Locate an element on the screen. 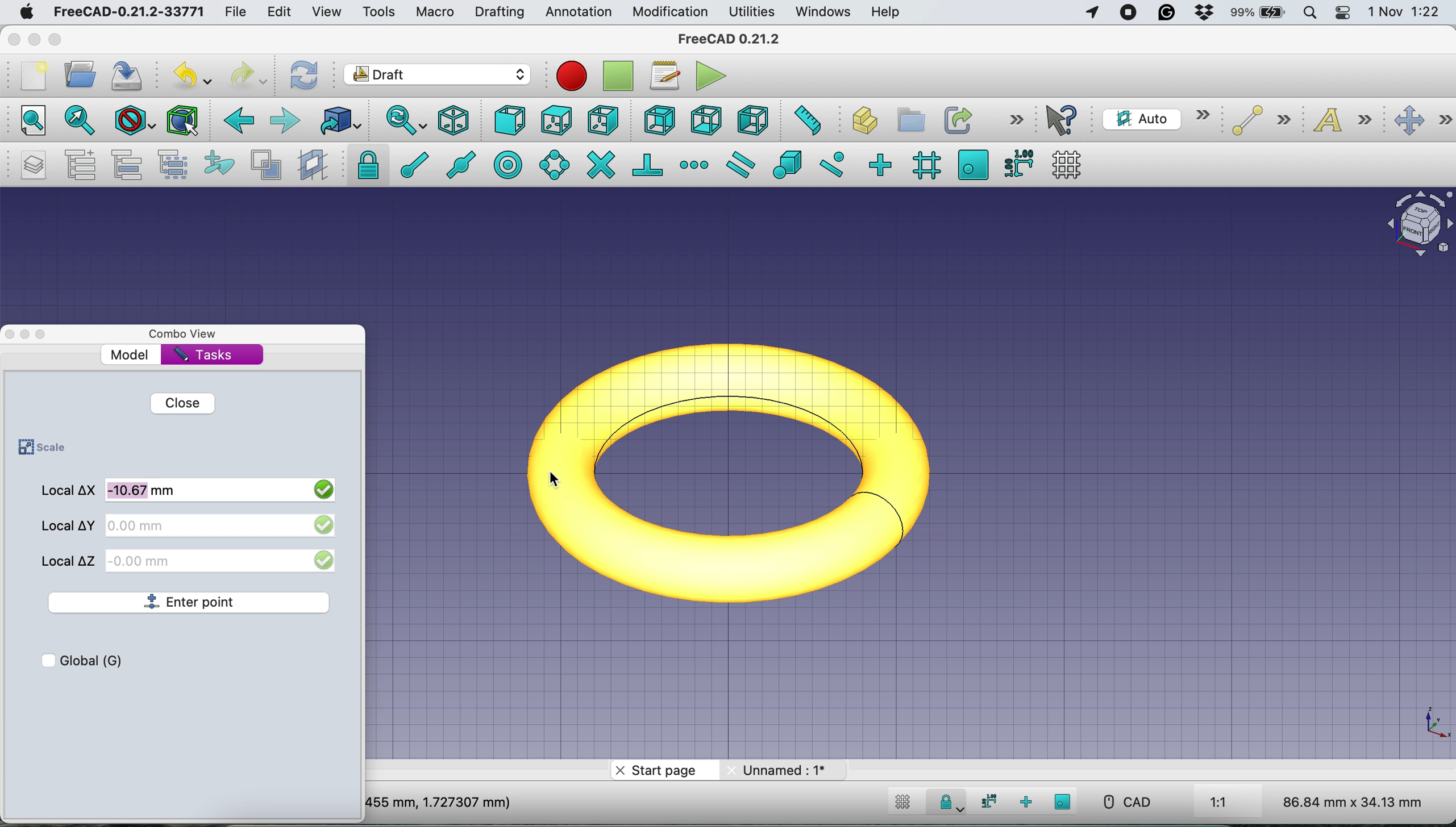 The image size is (1456, 827). 1:1 is located at coordinates (1232, 803).